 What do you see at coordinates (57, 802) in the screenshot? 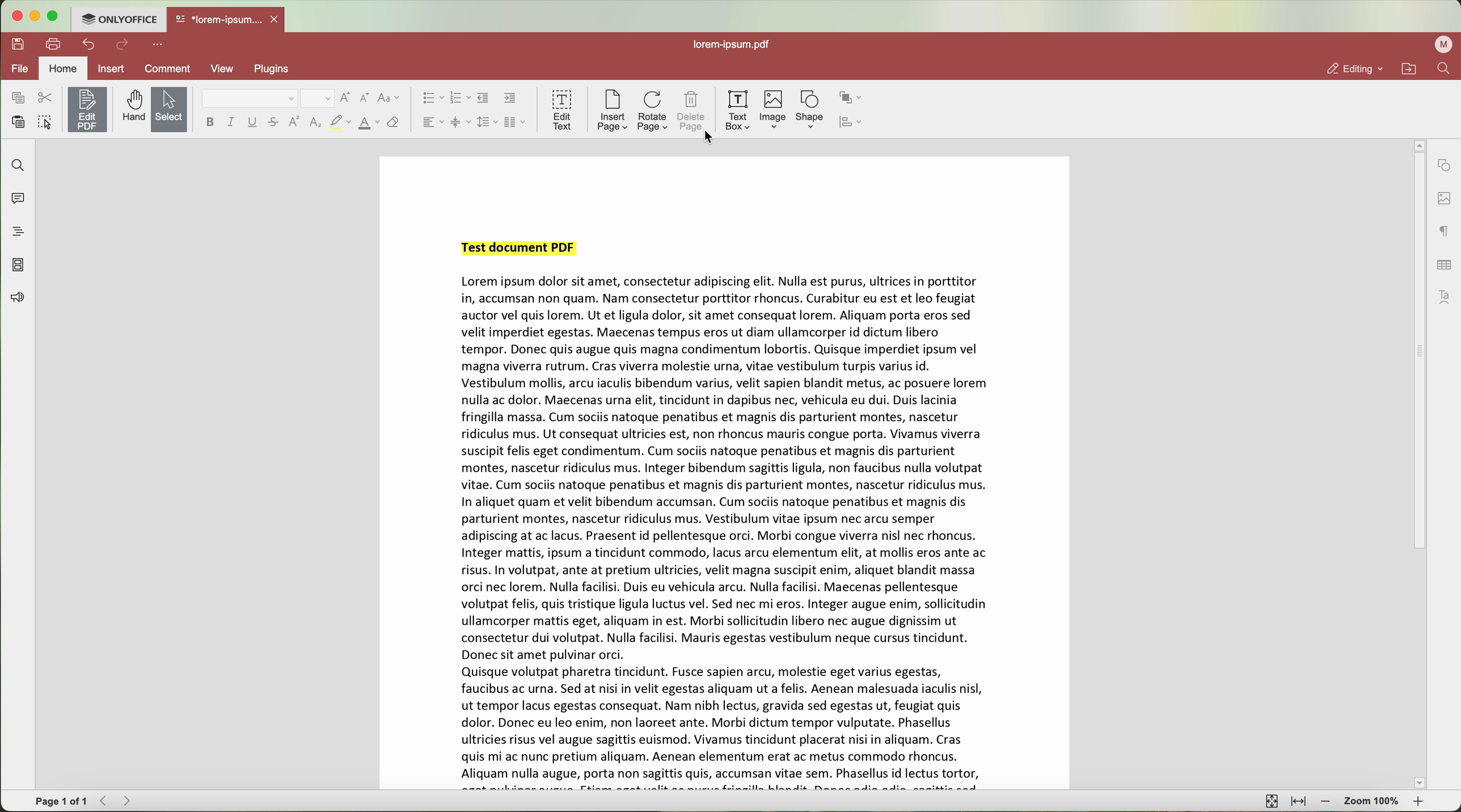
I see `page 1 of 1` at bounding box center [57, 802].